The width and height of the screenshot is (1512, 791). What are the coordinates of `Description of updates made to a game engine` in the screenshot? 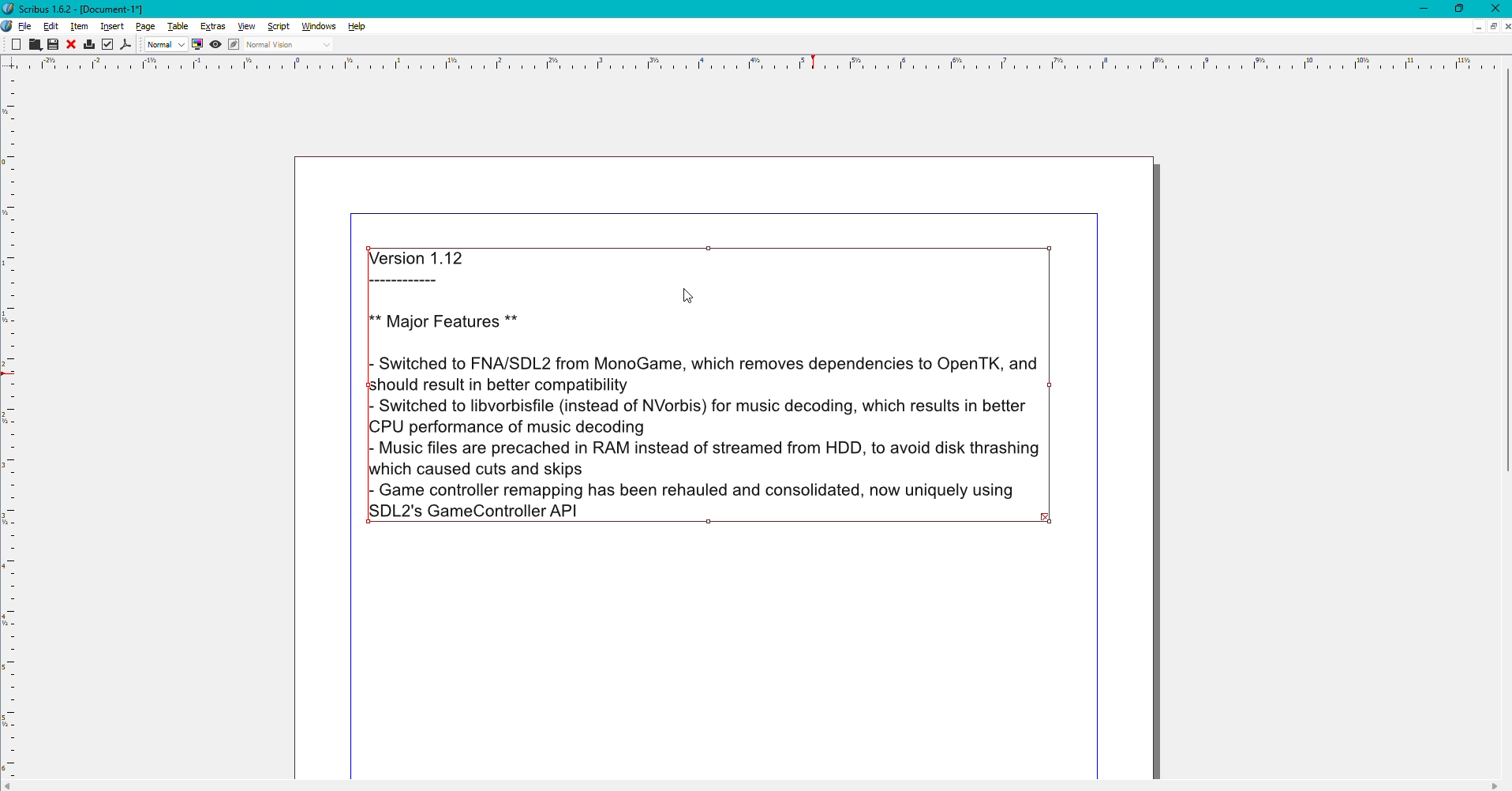 It's located at (707, 417).